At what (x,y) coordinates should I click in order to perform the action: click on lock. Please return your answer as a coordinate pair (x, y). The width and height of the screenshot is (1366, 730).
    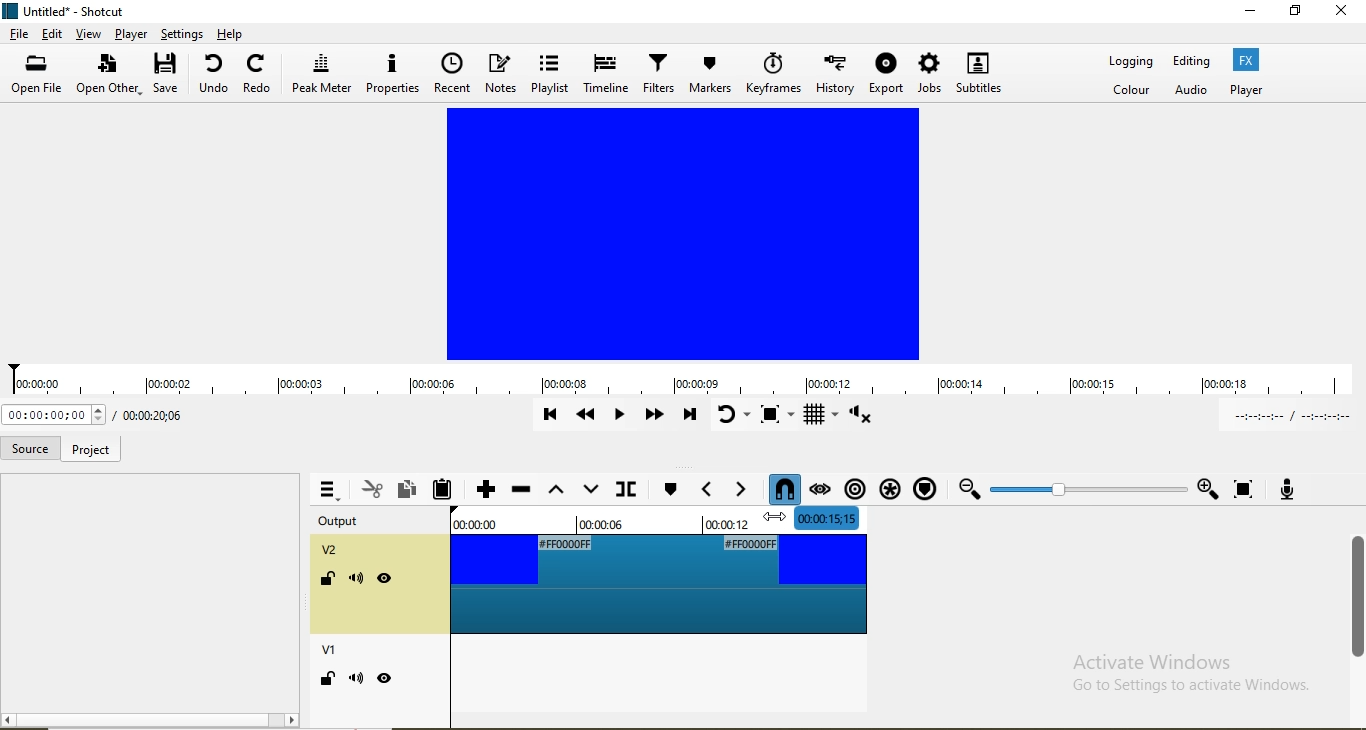
    Looking at the image, I should click on (325, 682).